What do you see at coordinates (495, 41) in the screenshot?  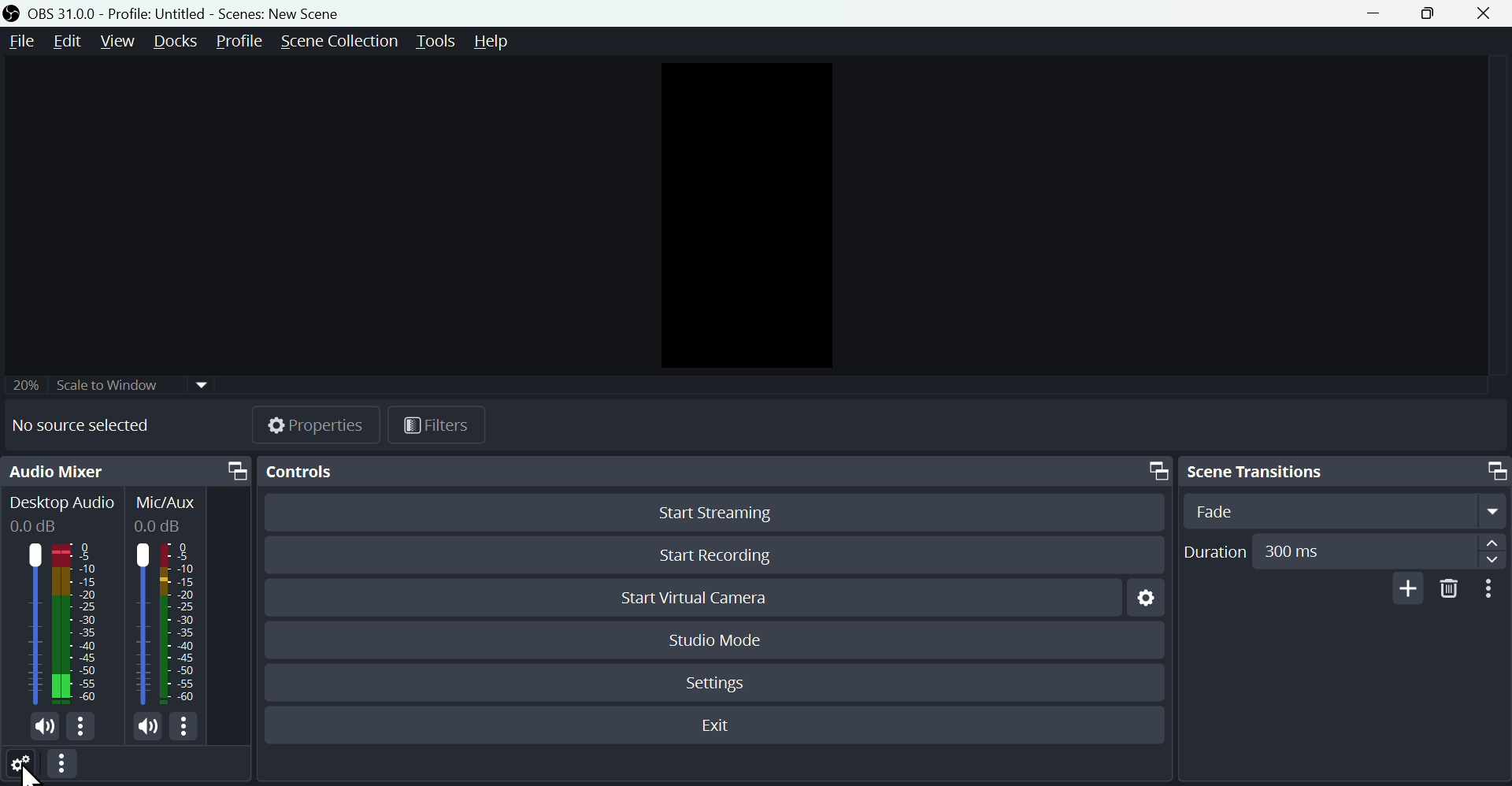 I see `help` at bounding box center [495, 41].